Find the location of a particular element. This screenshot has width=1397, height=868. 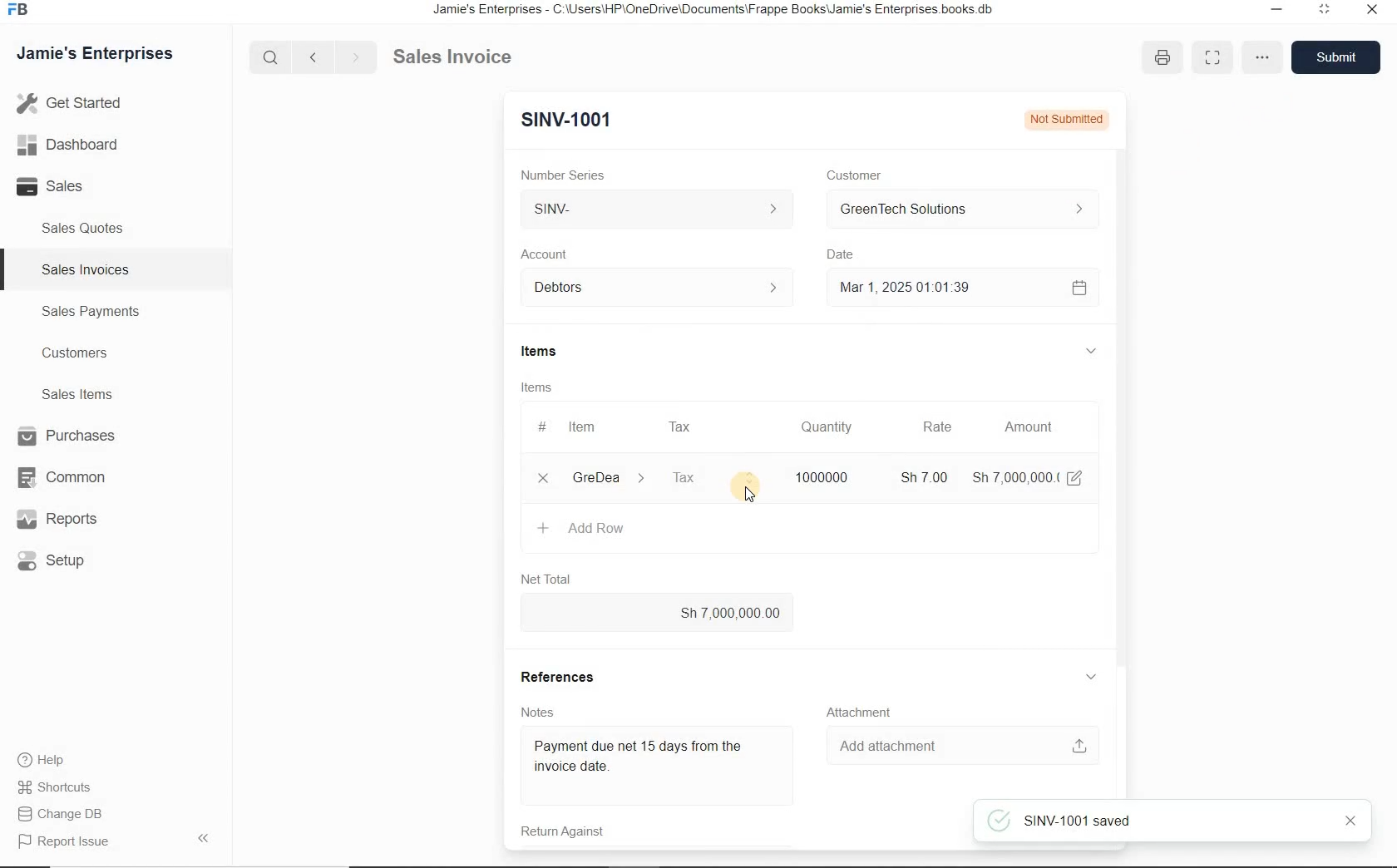

Sales Payments is located at coordinates (91, 312).